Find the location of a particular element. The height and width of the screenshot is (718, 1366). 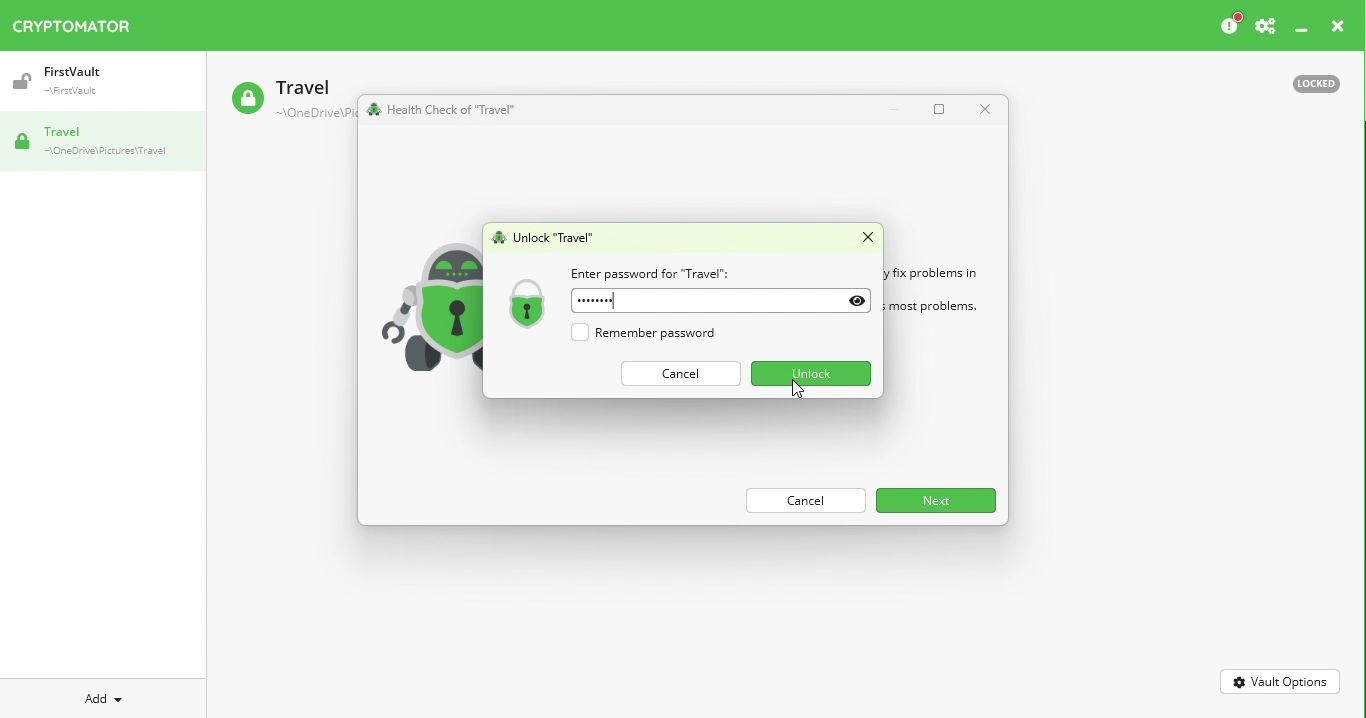

hidden password is located at coordinates (595, 301).